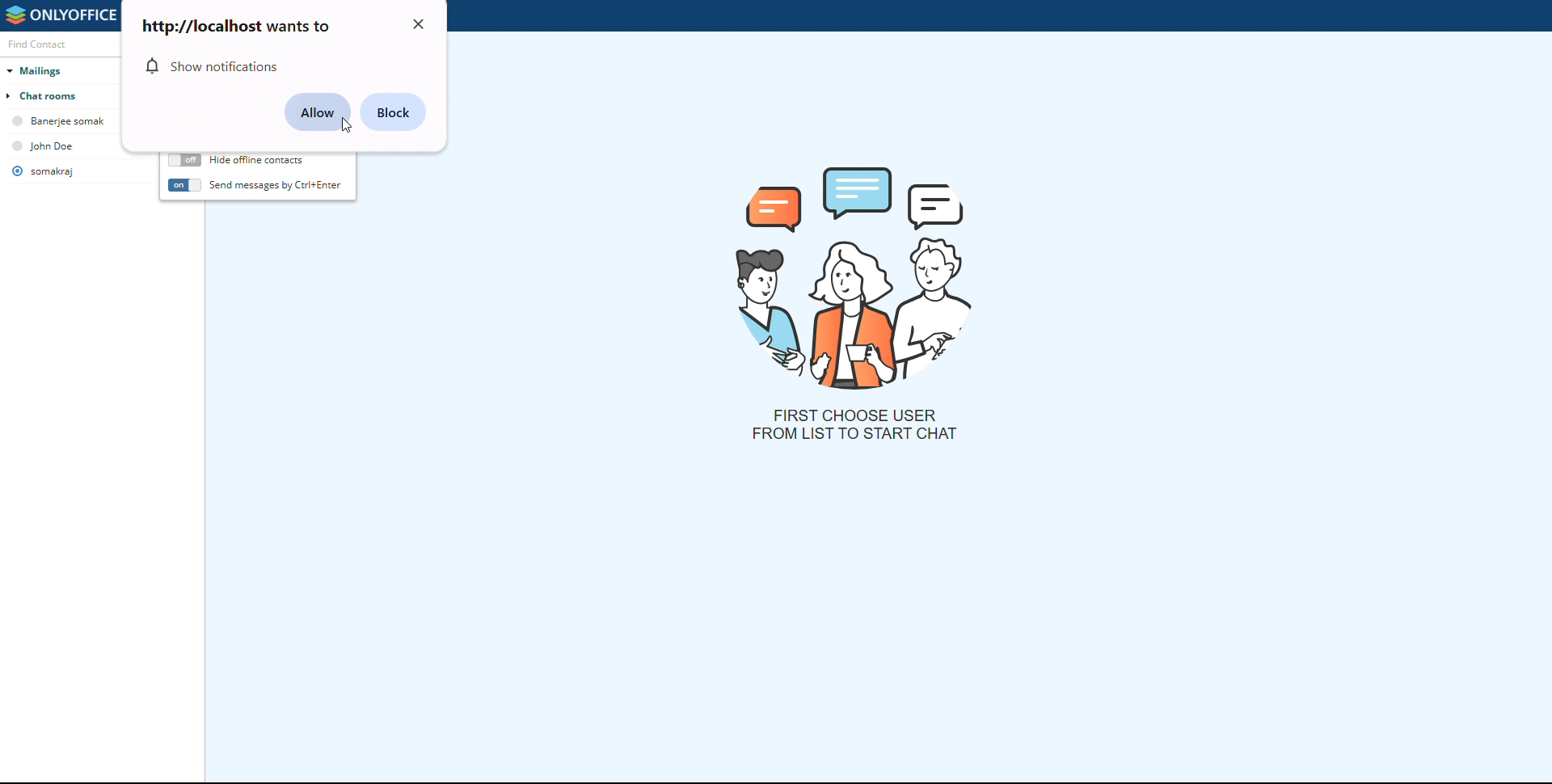  I want to click on mailings, so click(65, 69).